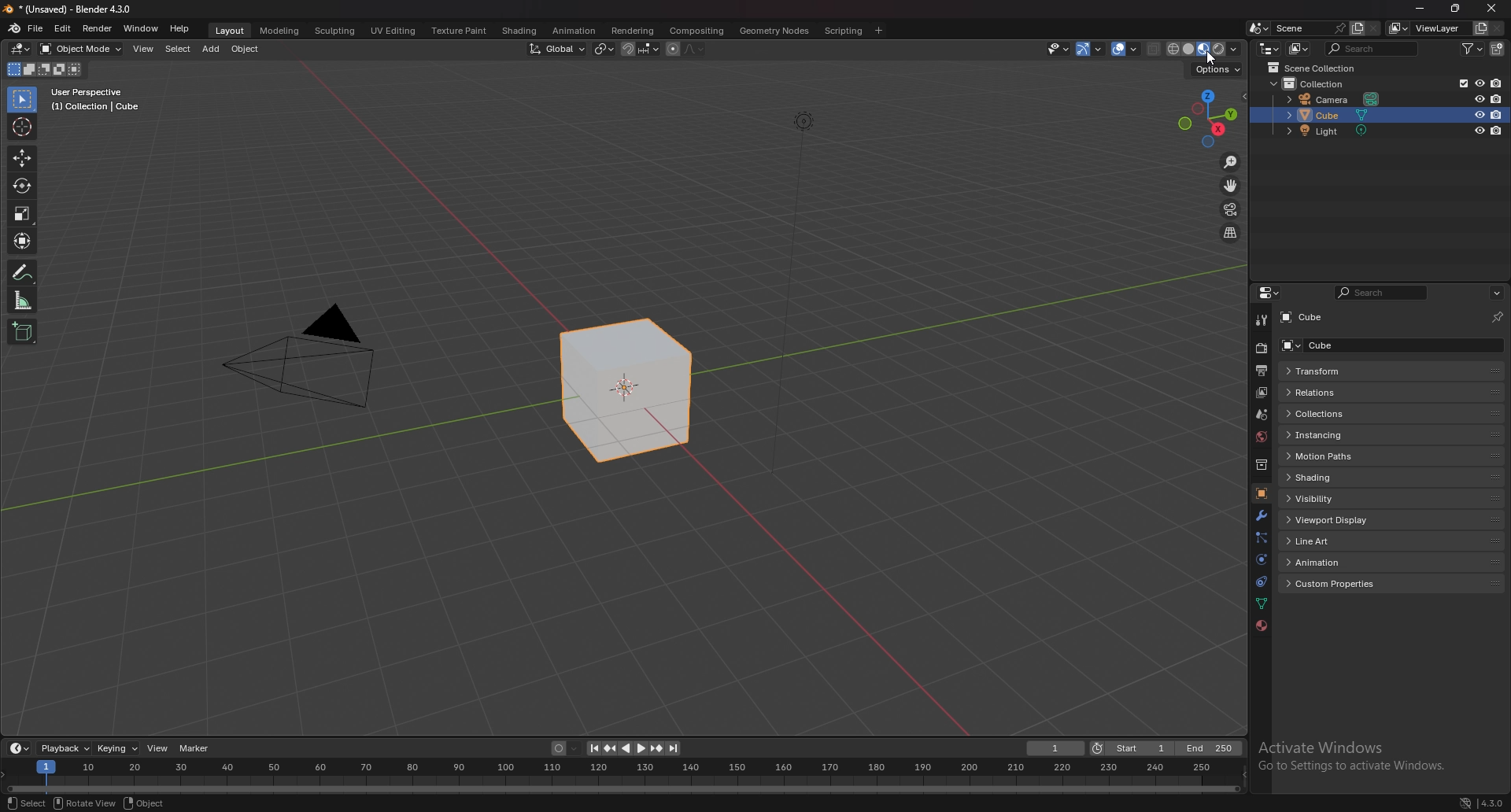 This screenshot has height=812, width=1511. Describe the element at coordinates (1230, 163) in the screenshot. I see `zoom` at that location.